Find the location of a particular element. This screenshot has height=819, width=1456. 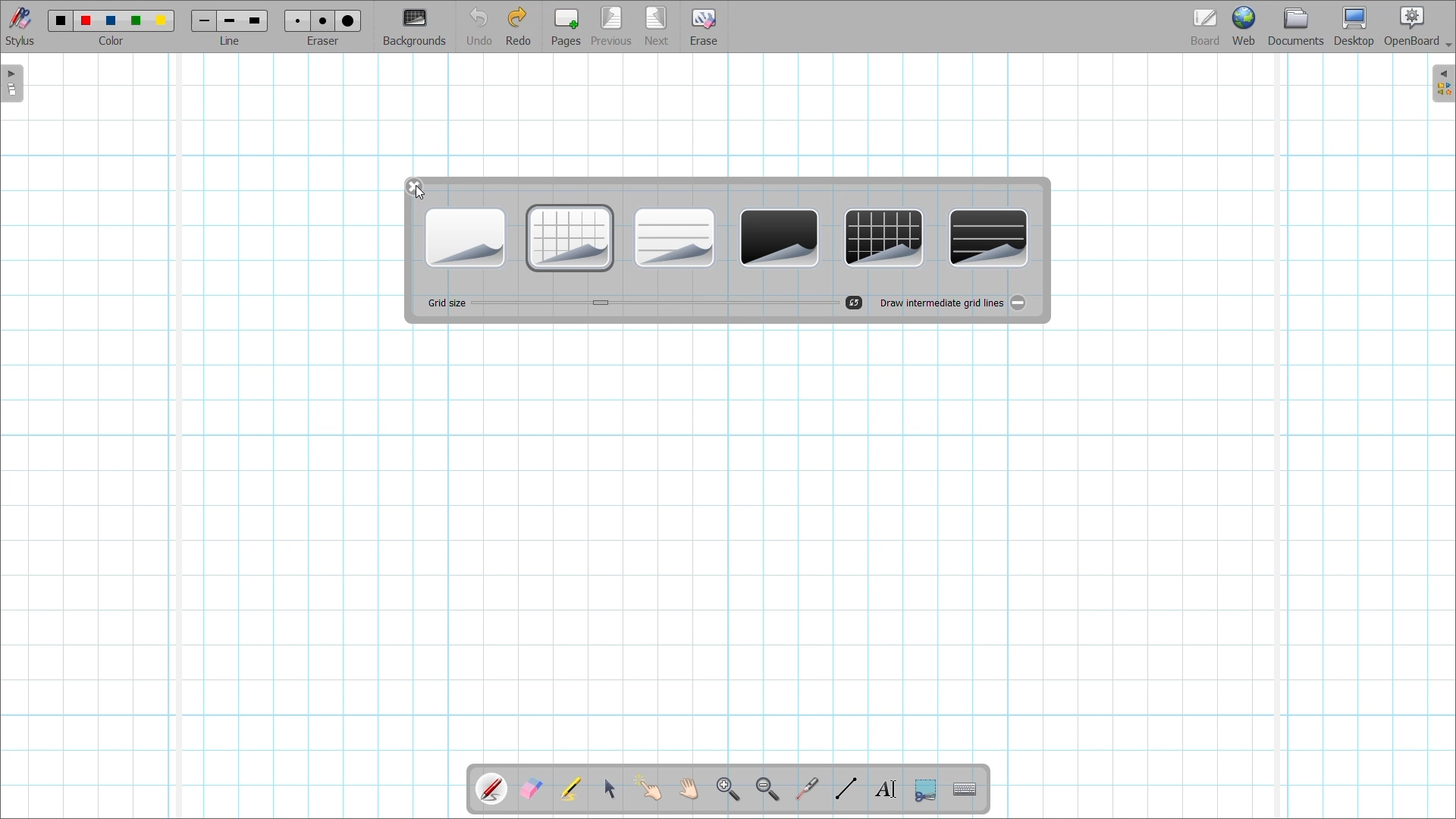

Color options is located at coordinates (111, 21).